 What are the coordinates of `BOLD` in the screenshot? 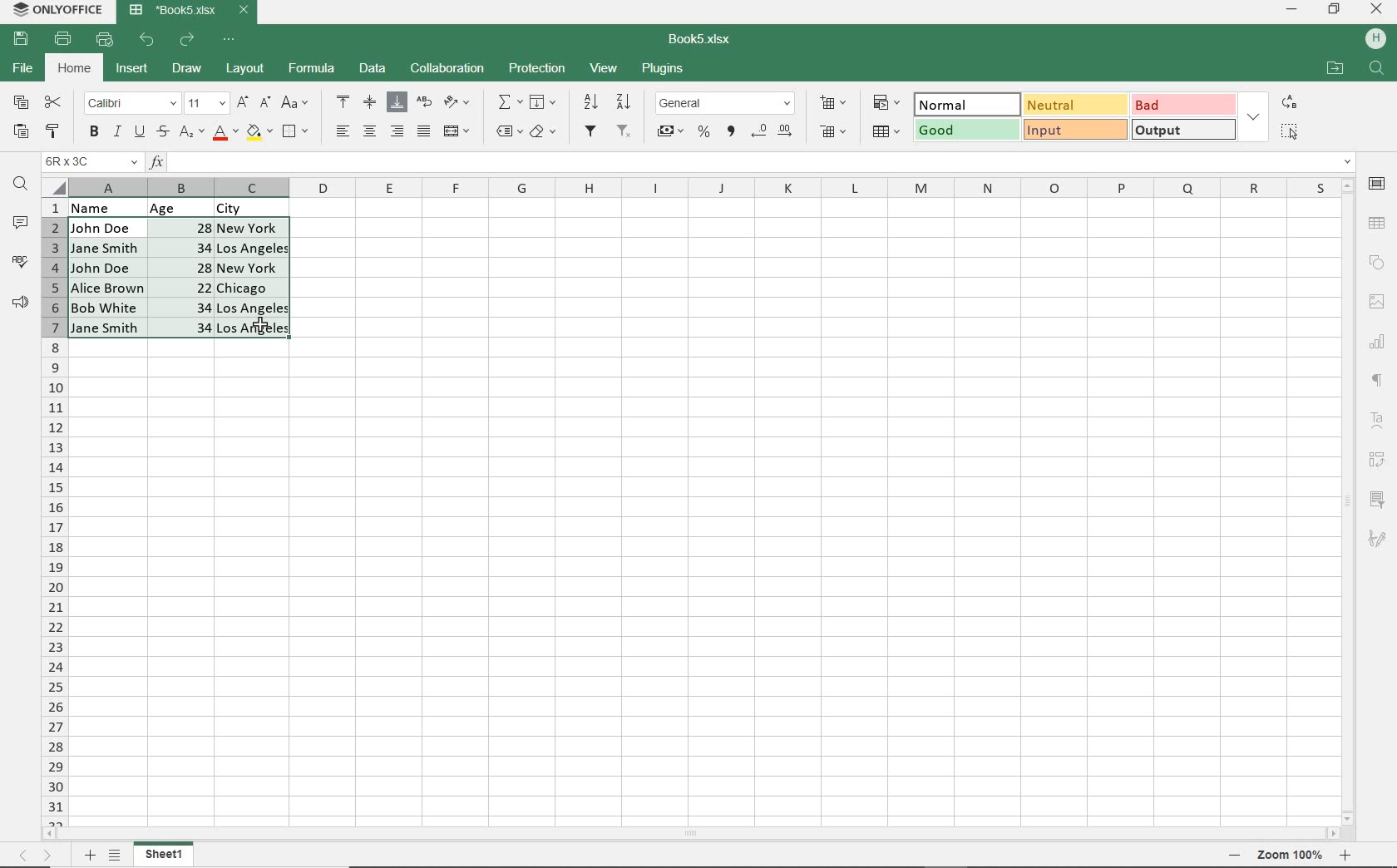 It's located at (93, 133).